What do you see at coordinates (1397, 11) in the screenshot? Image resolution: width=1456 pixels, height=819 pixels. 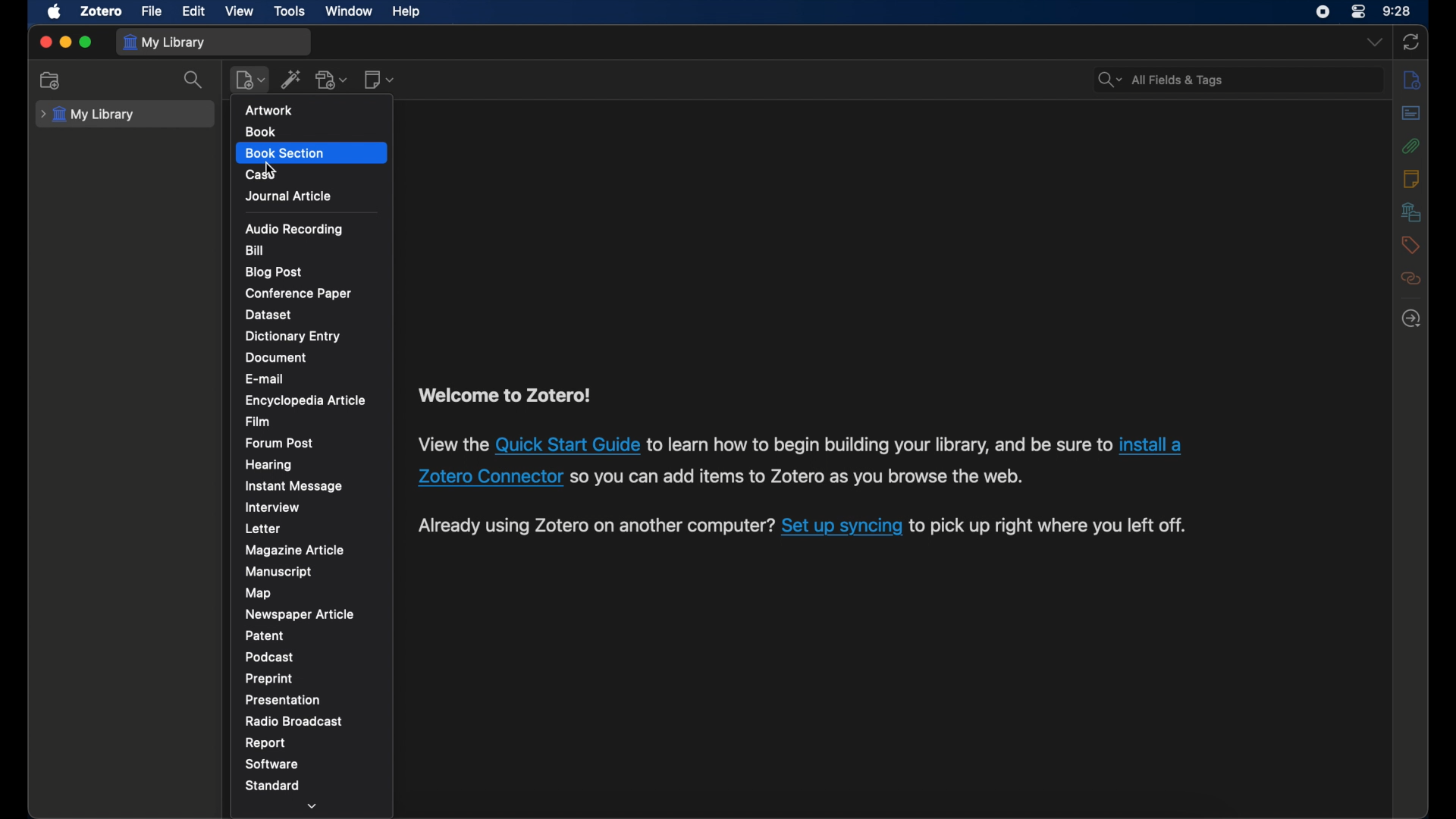 I see `time` at bounding box center [1397, 11].